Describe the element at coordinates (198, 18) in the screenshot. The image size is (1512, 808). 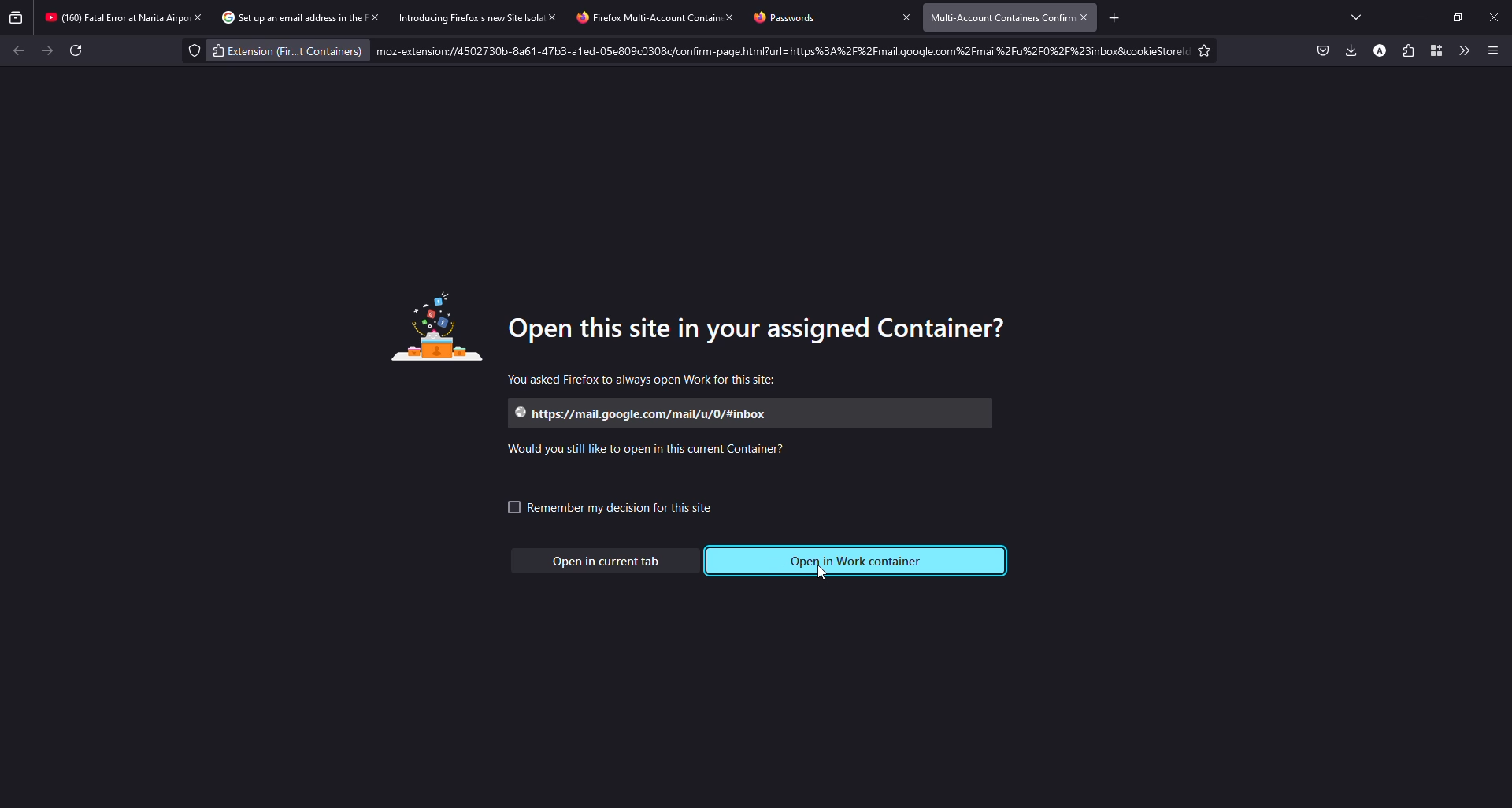
I see `close` at that location.